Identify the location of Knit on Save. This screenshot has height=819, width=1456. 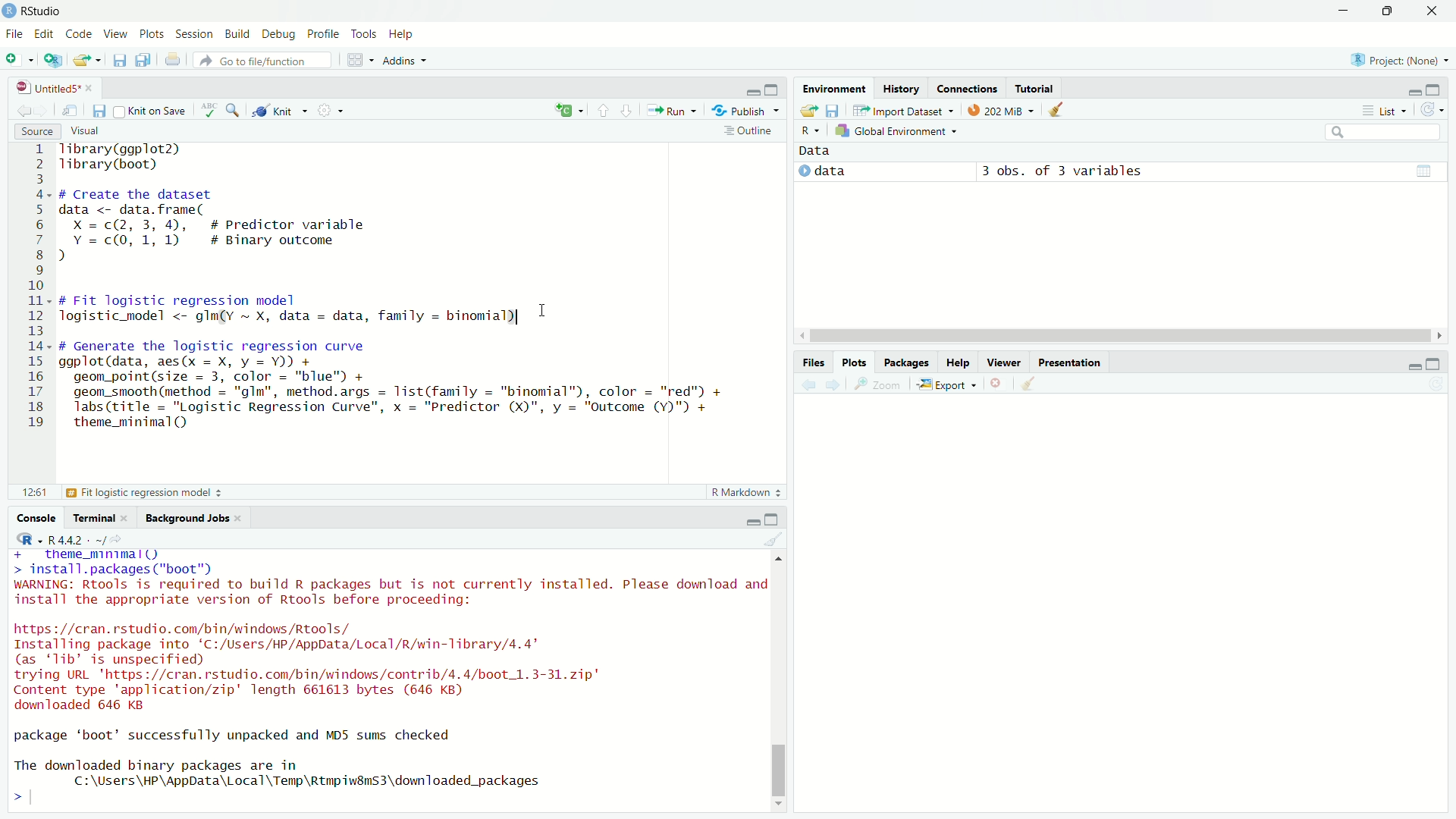
(152, 111).